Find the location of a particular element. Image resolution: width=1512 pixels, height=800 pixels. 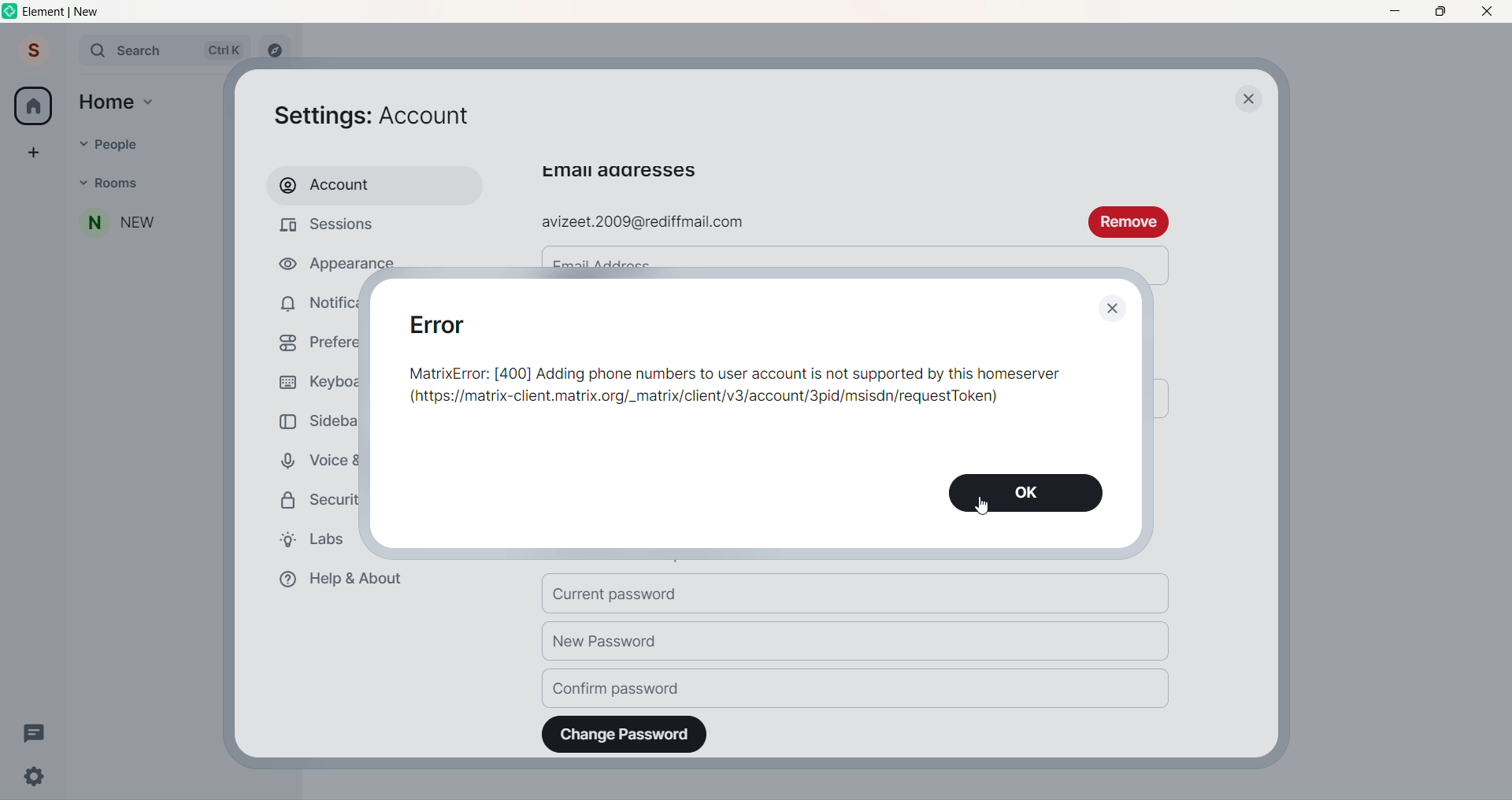

Email ID write space is located at coordinates (852, 255).